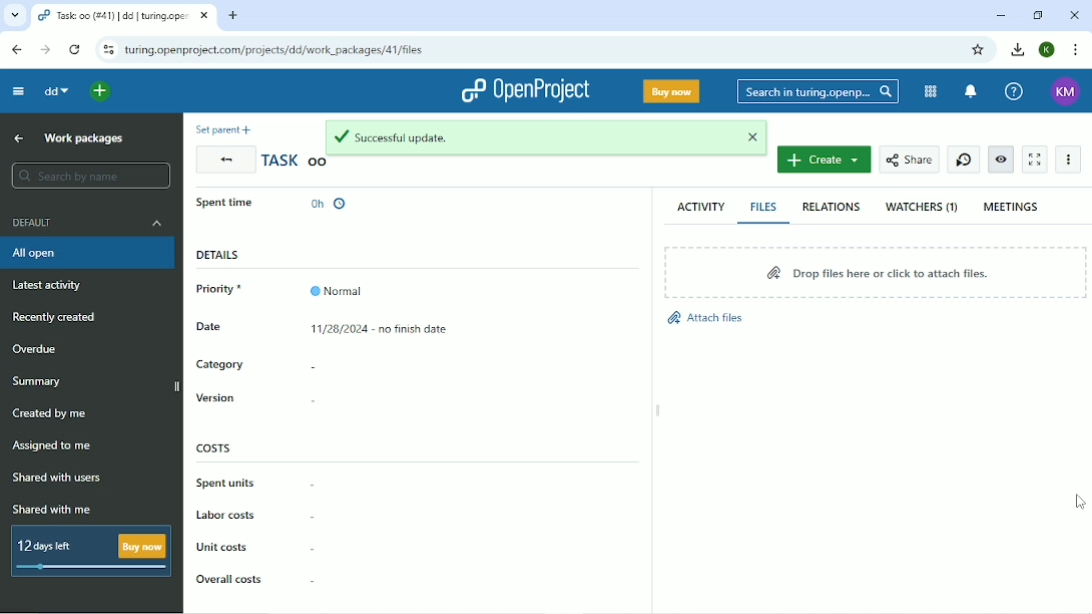  I want to click on Latest activity, so click(51, 284).